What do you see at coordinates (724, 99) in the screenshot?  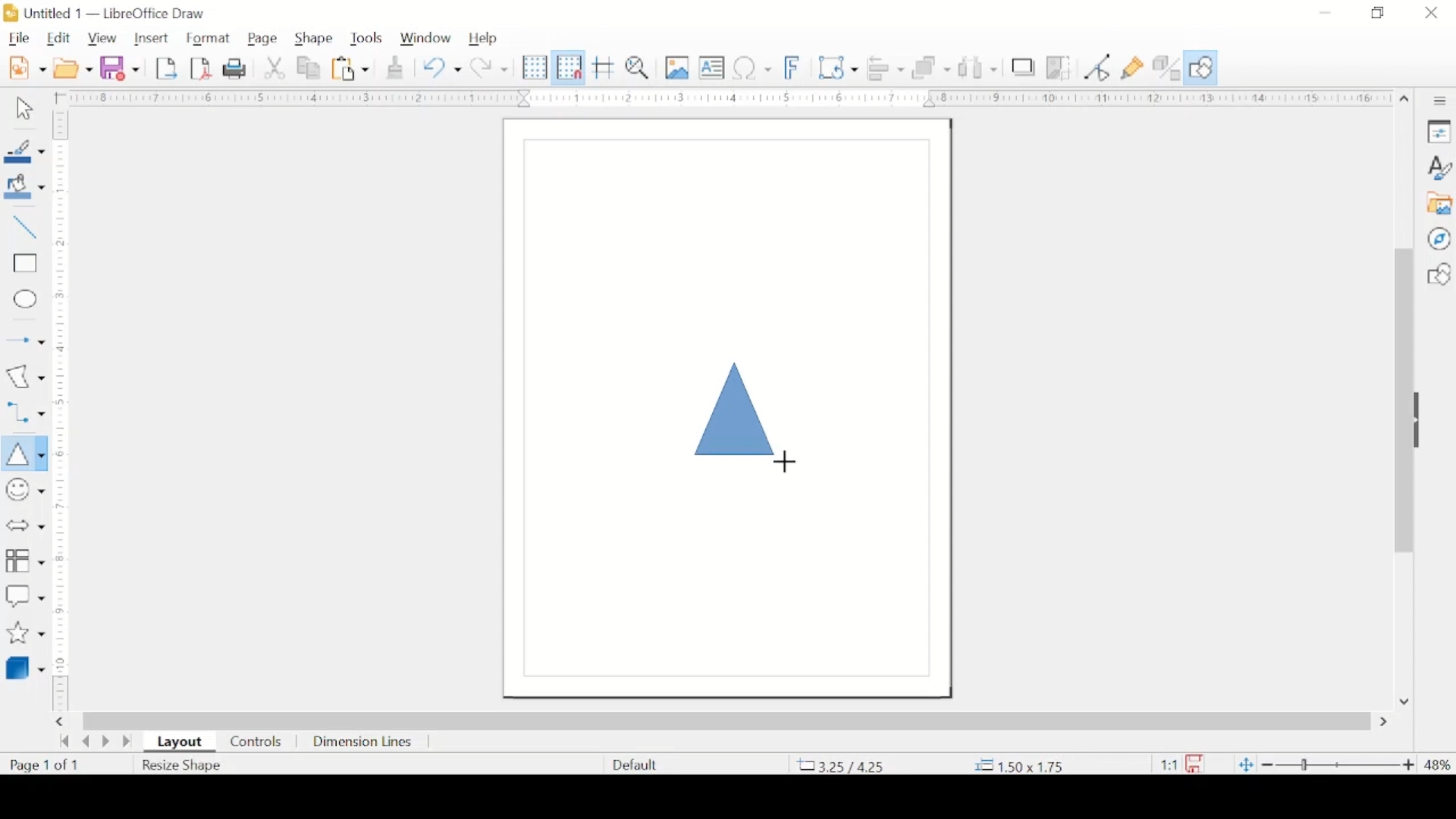 I see `margin` at bounding box center [724, 99].